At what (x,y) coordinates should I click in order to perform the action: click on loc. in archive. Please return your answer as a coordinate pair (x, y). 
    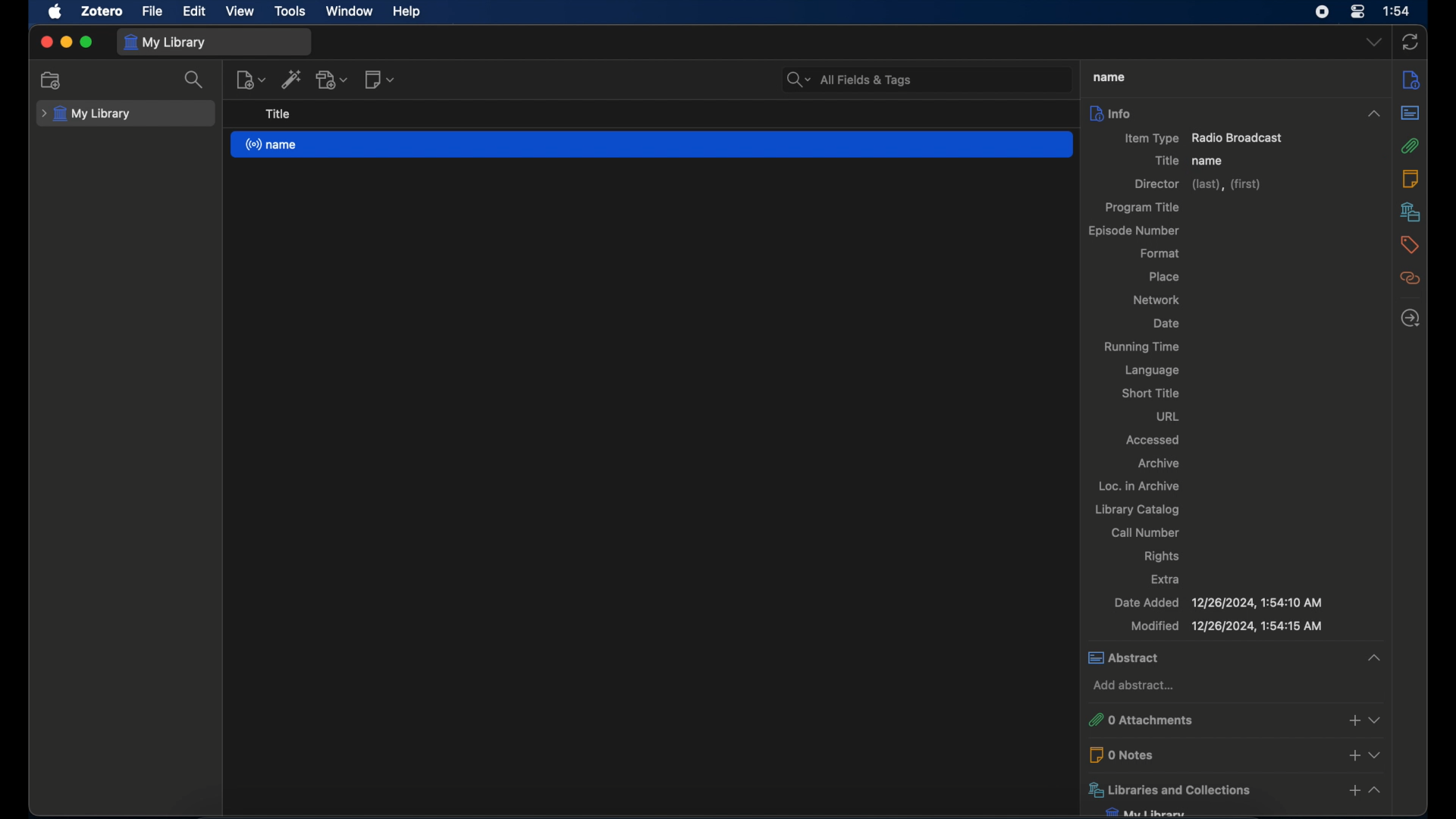
    Looking at the image, I should click on (1141, 485).